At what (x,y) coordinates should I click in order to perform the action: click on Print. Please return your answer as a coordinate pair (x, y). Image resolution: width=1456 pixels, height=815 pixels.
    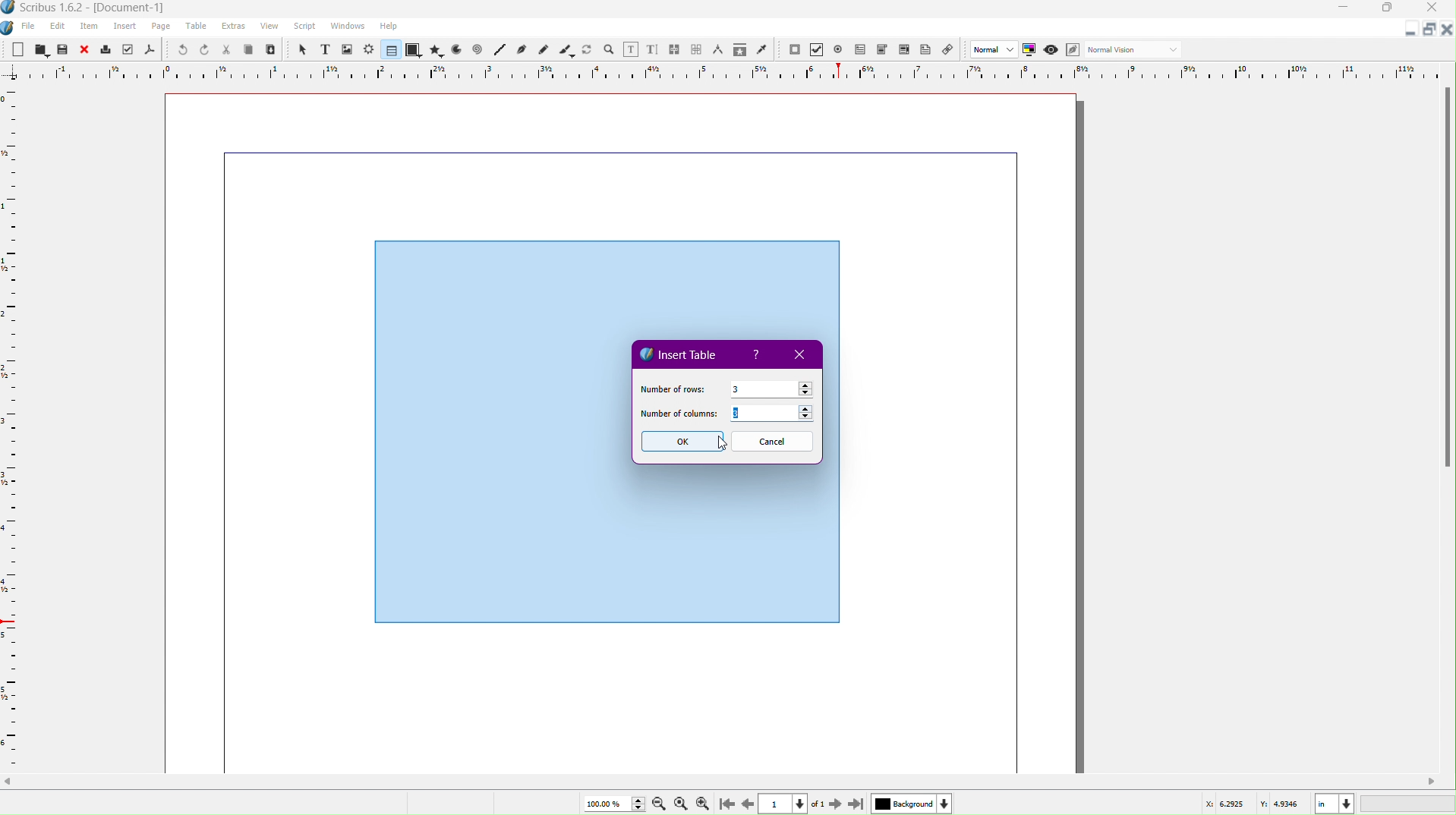
    Looking at the image, I should click on (106, 49).